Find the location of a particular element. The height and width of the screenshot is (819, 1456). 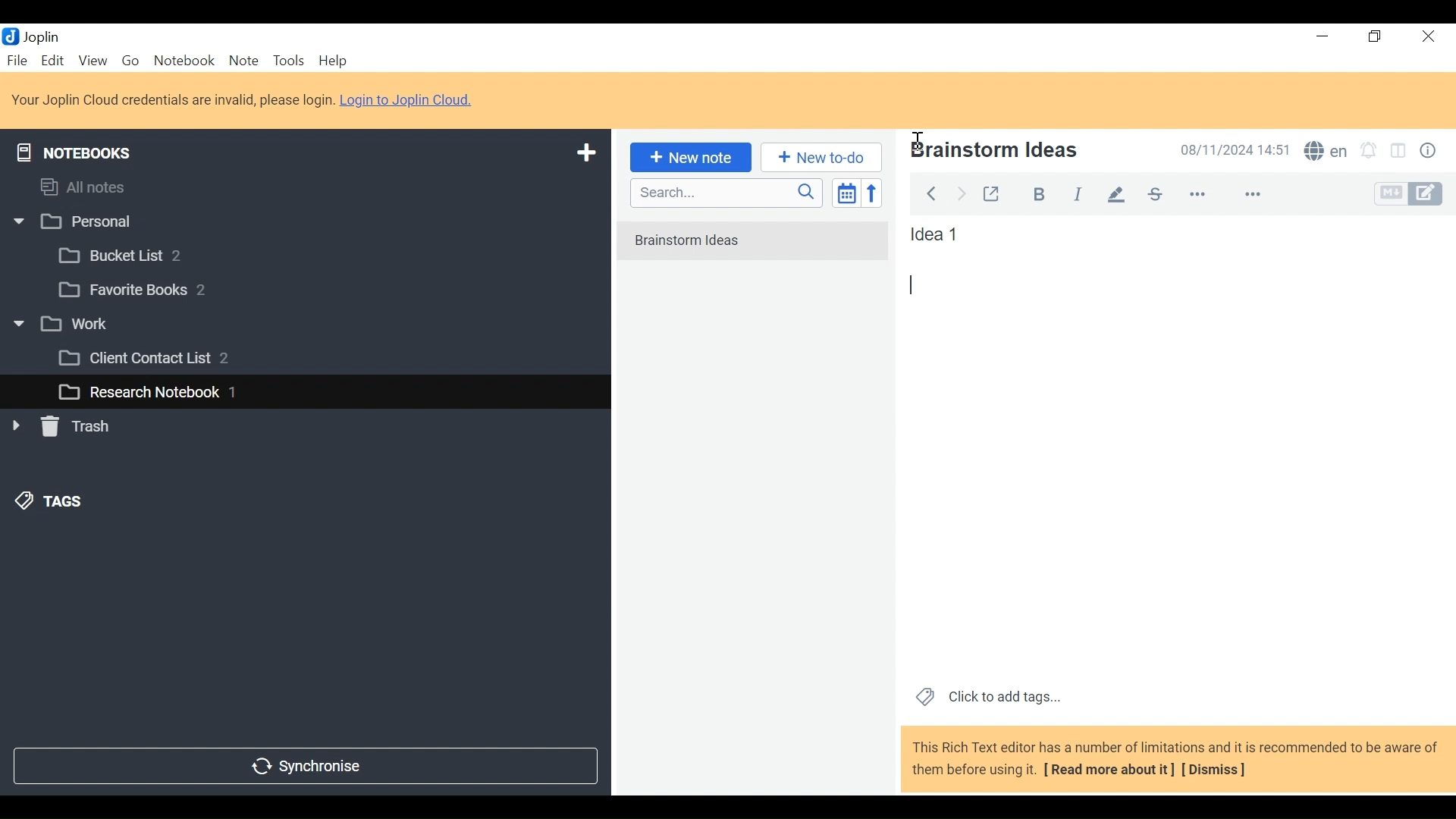

&) TAGS is located at coordinates (66, 503).